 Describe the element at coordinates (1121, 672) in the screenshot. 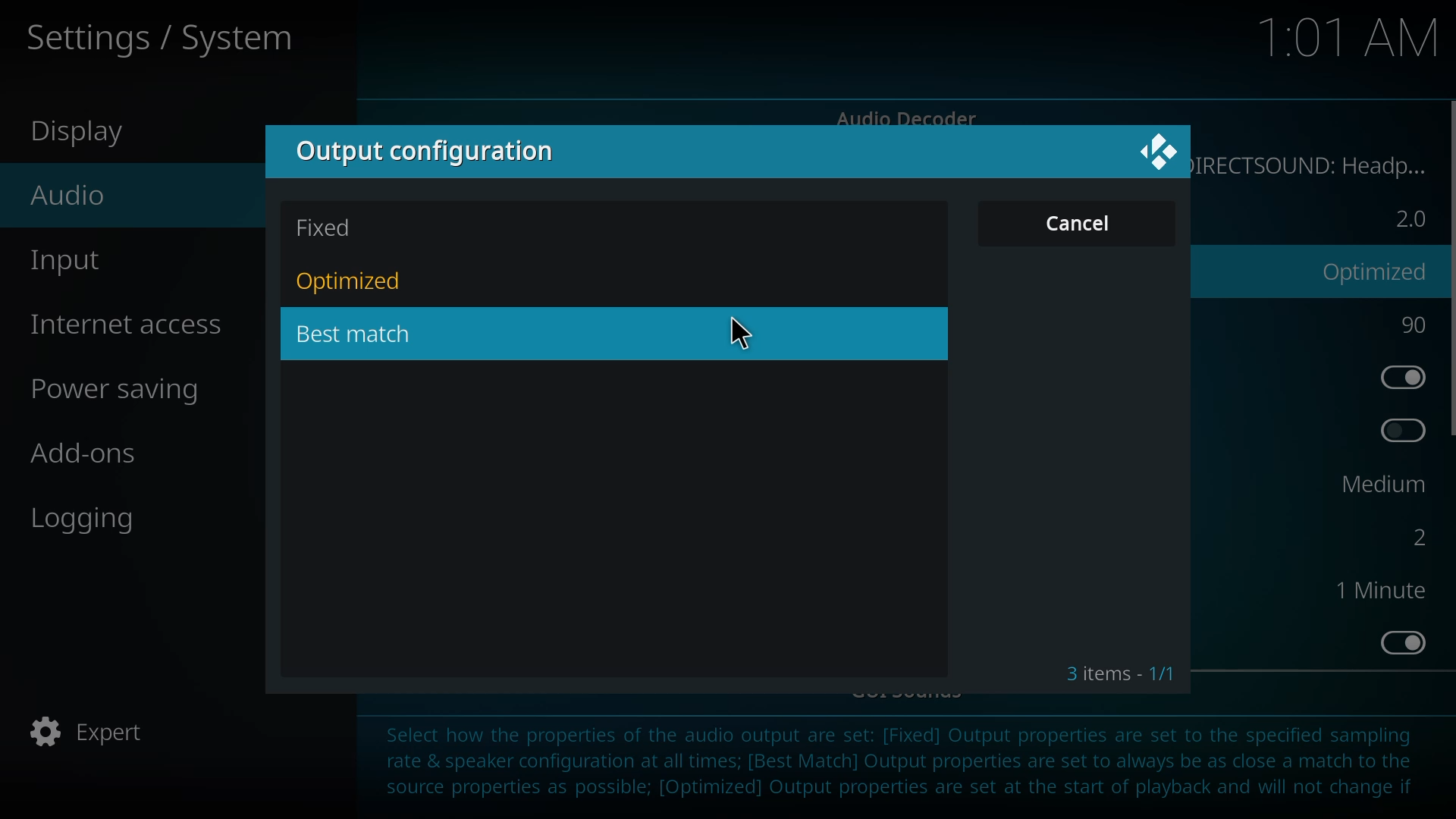

I see `3` at that location.